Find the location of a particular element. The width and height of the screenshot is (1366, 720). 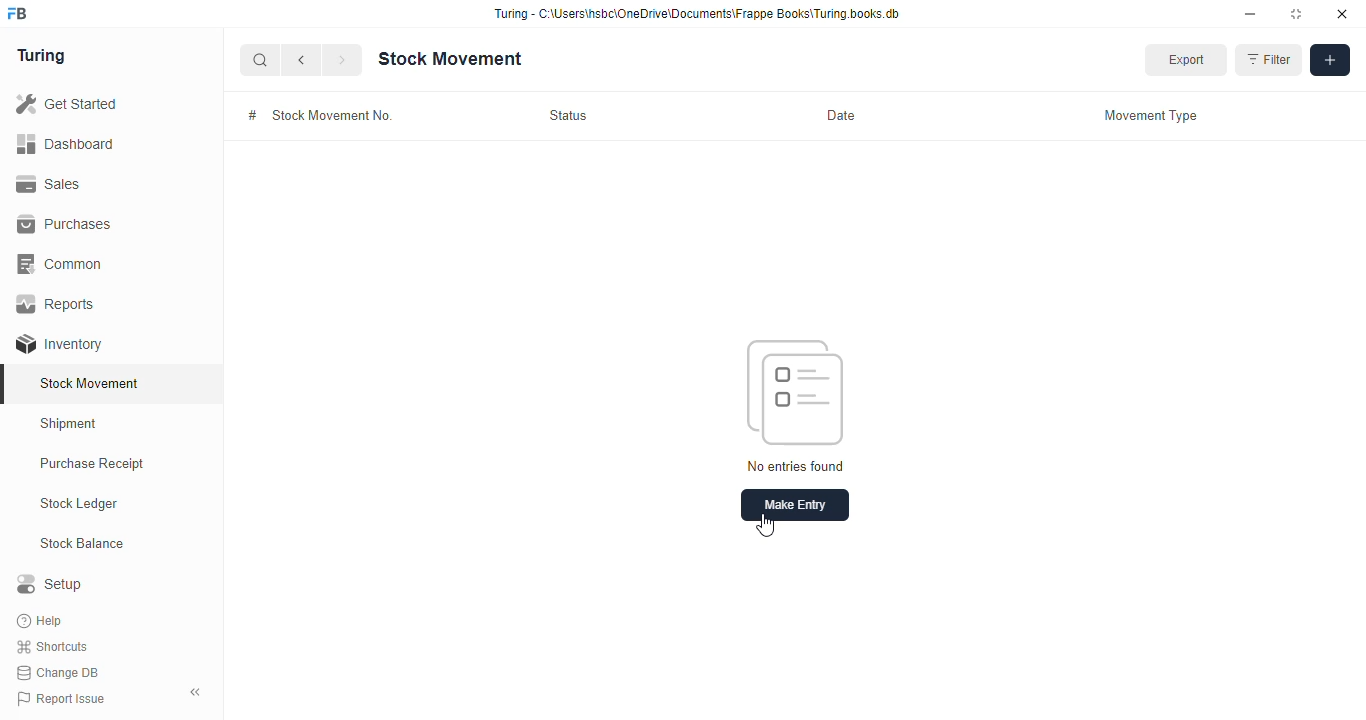

shipment is located at coordinates (69, 424).